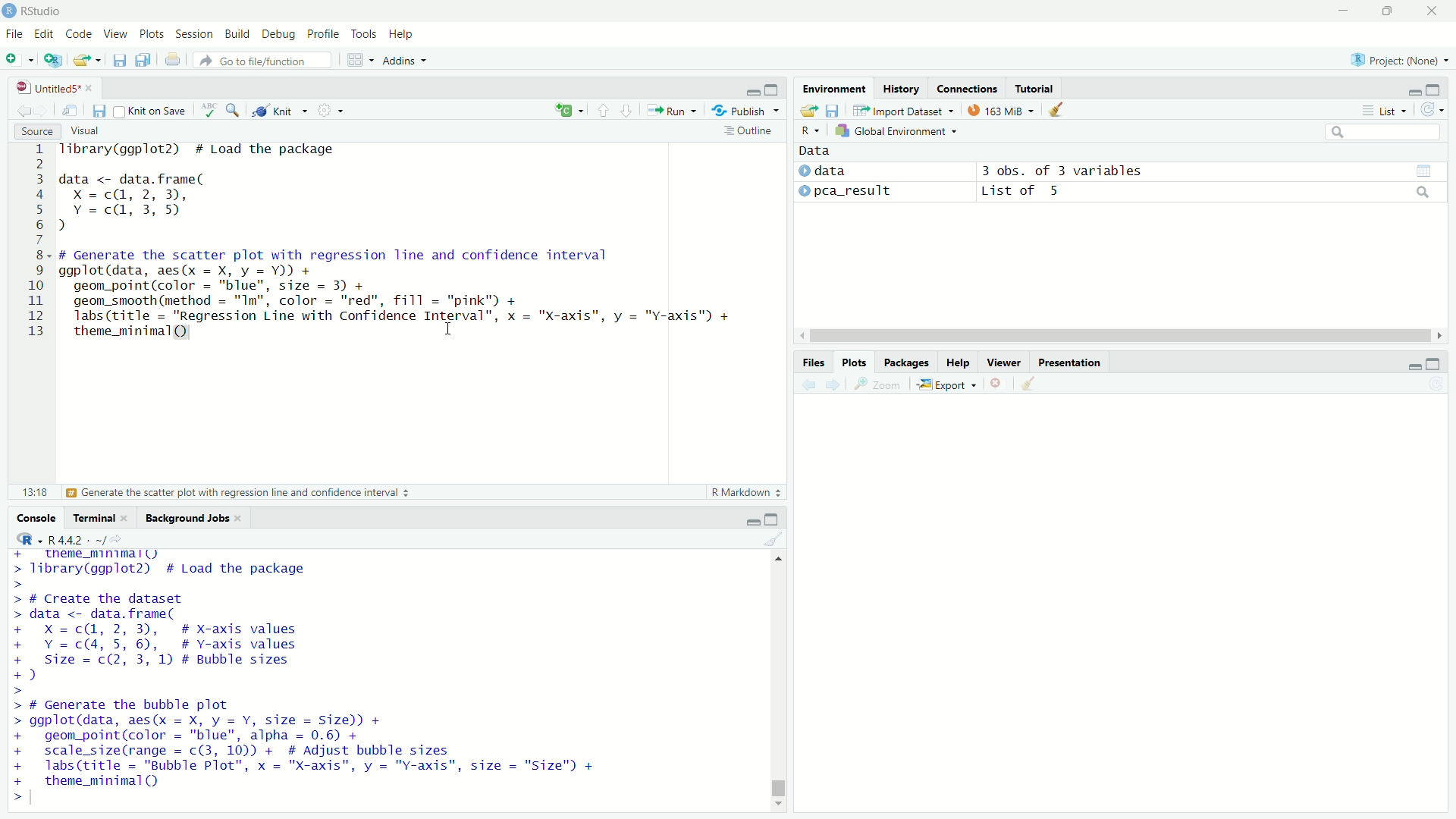  What do you see at coordinates (809, 384) in the screenshot?
I see `Previous plot` at bounding box center [809, 384].